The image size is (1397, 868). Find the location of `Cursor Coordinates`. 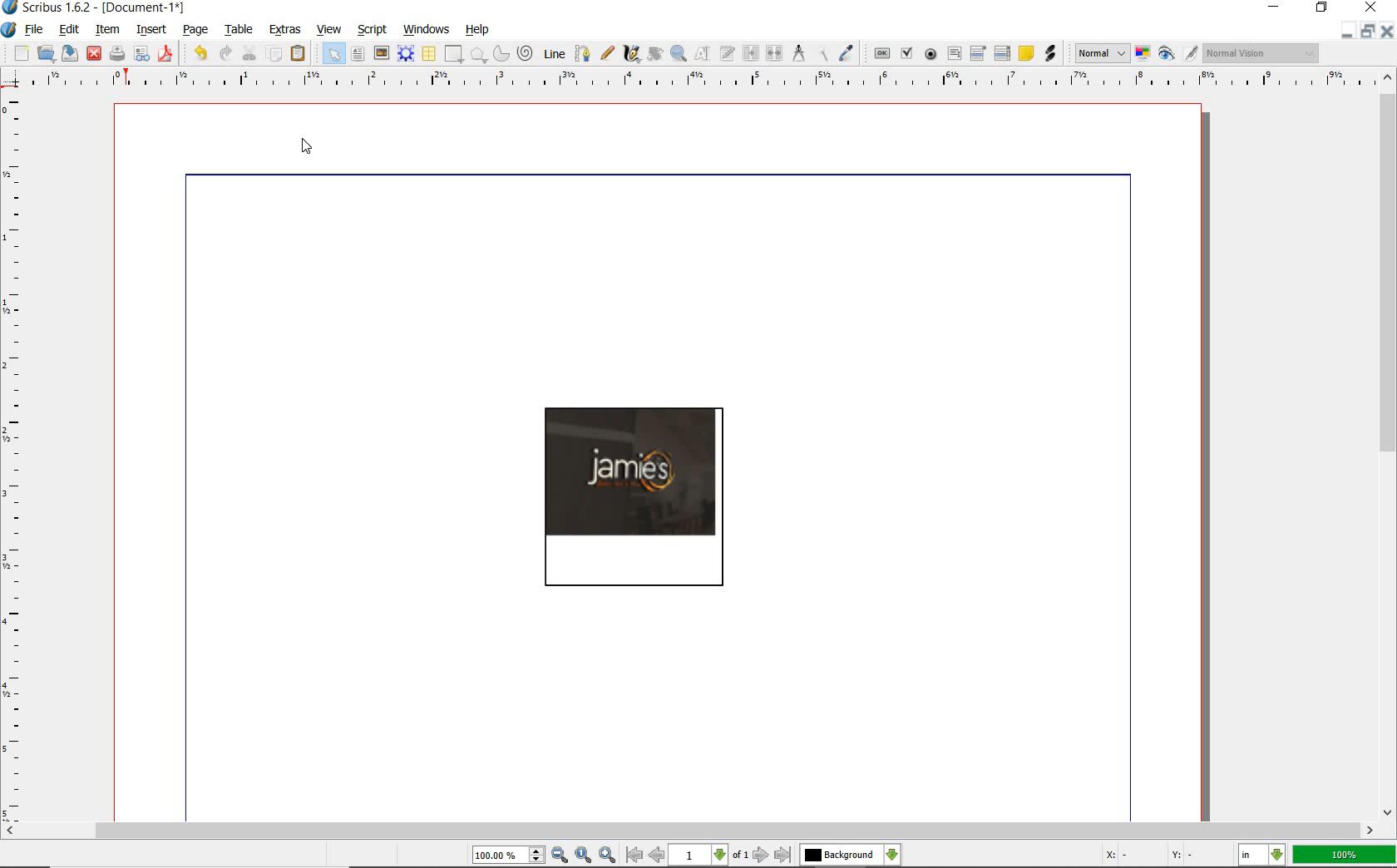

Cursor Coordinates is located at coordinates (1159, 857).